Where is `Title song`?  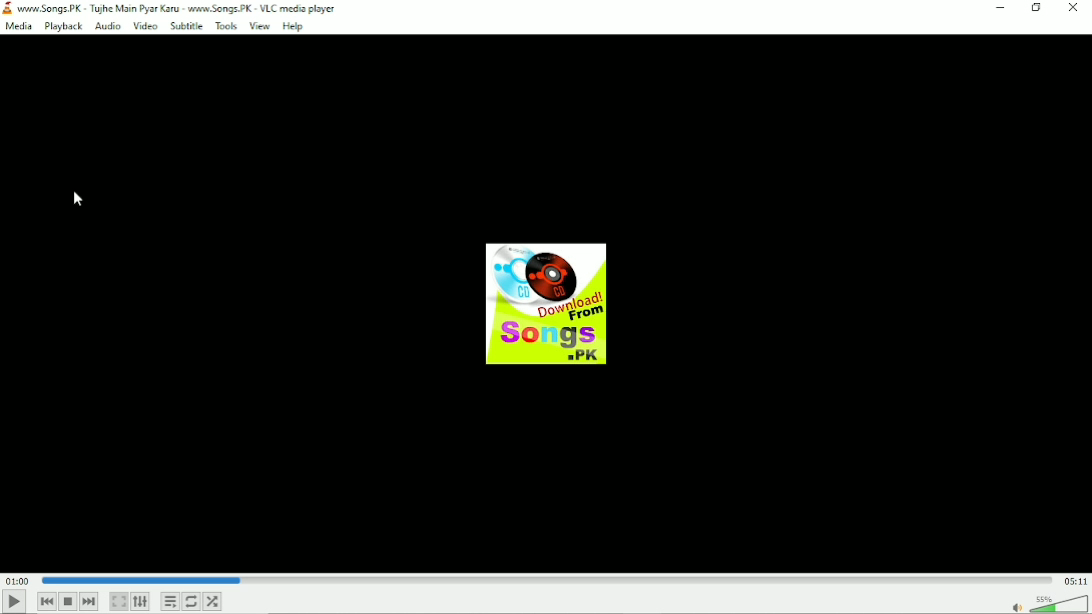 Title song is located at coordinates (183, 8).